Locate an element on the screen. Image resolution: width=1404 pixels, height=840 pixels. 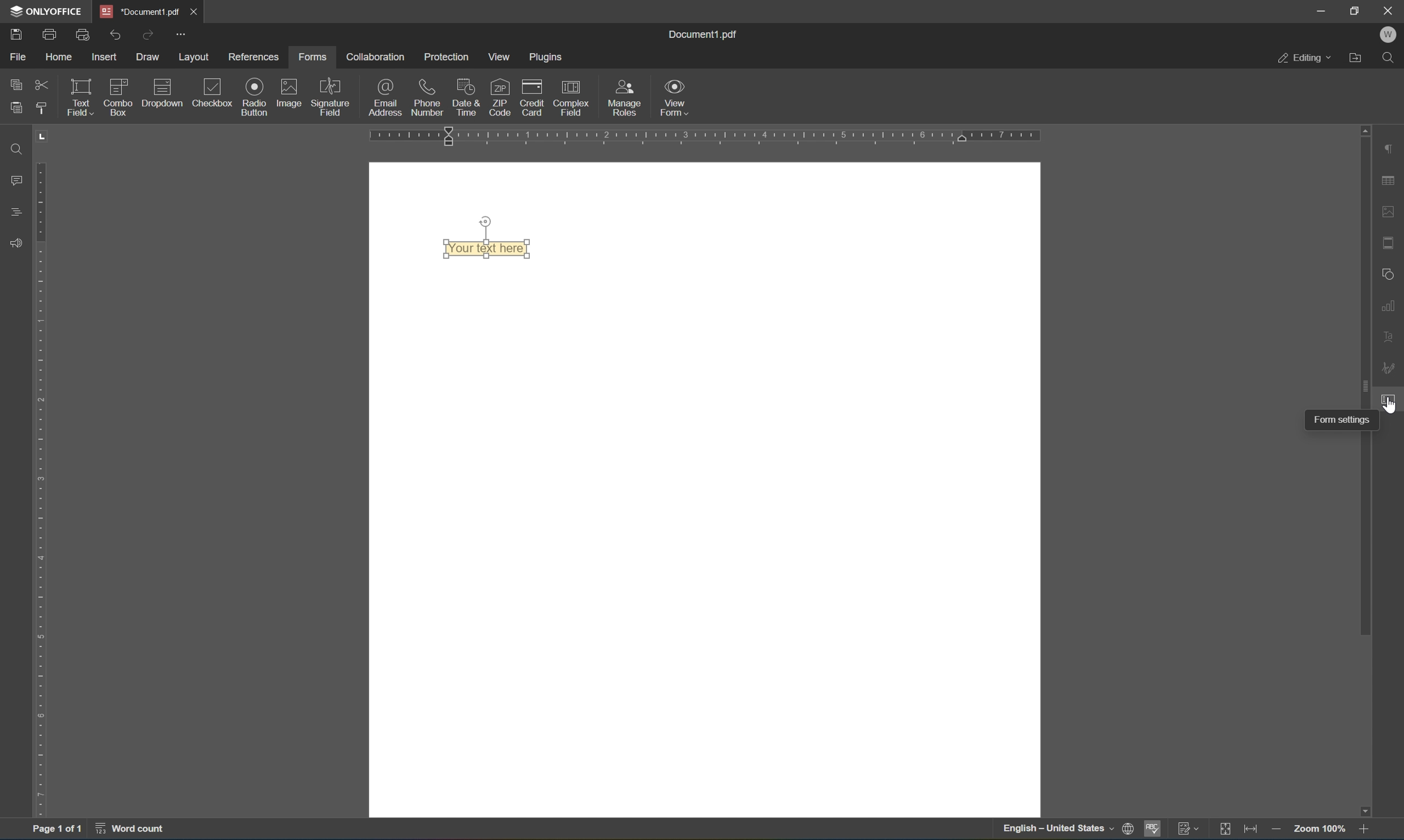
email address is located at coordinates (386, 97).